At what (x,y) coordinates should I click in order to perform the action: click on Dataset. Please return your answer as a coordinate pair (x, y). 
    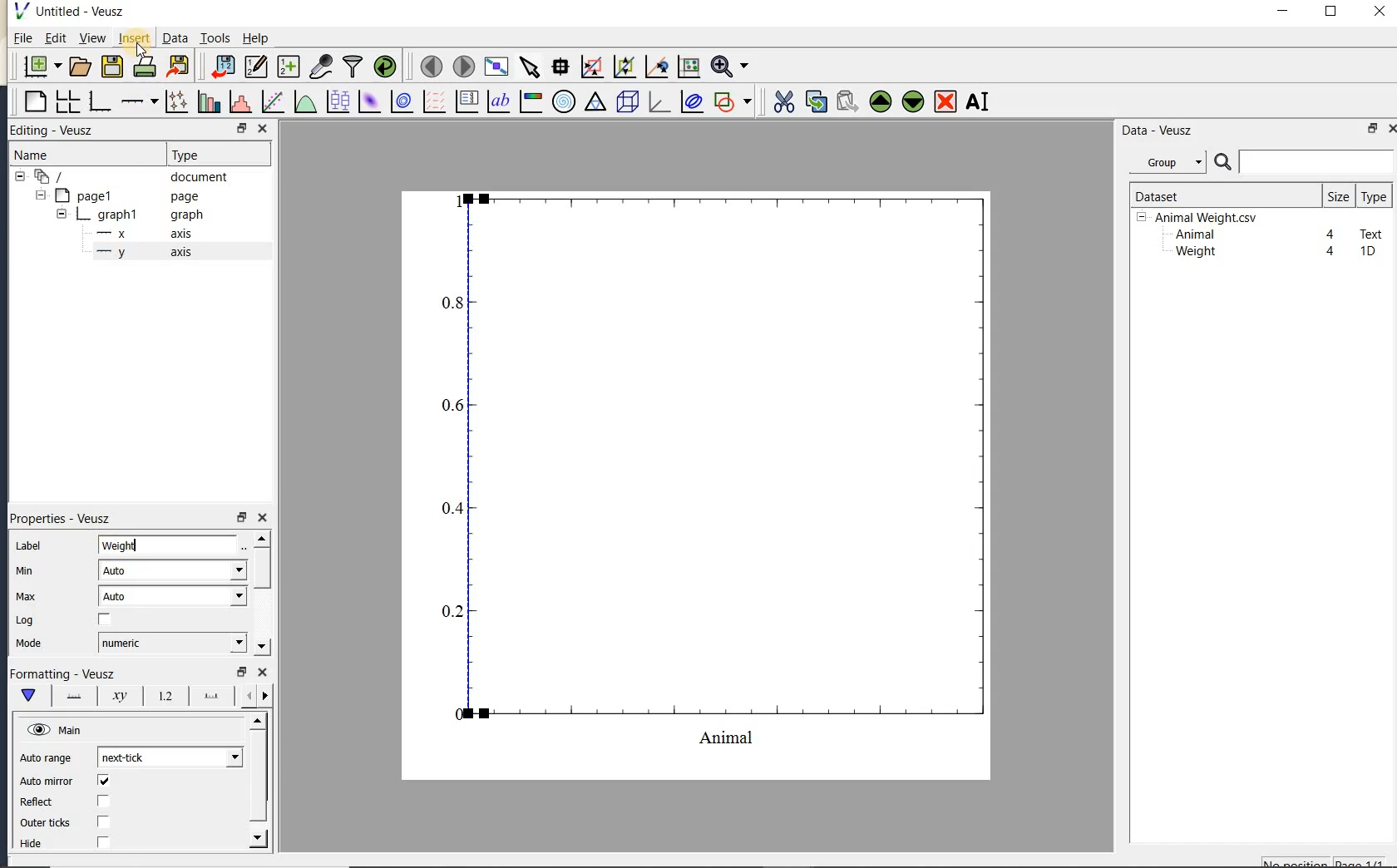
    Looking at the image, I should click on (1218, 195).